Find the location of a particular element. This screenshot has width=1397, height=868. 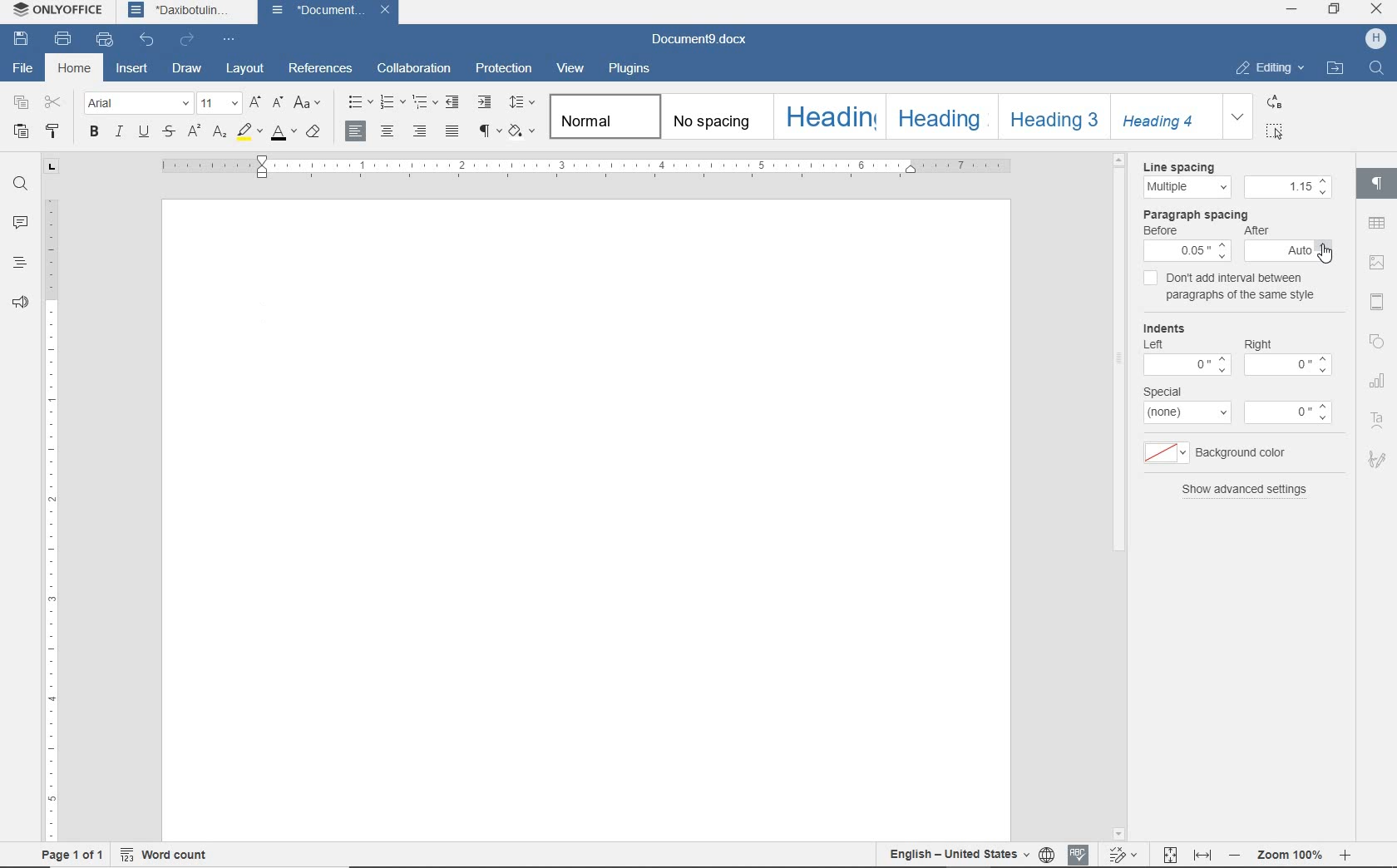

set document language is located at coordinates (1047, 856).